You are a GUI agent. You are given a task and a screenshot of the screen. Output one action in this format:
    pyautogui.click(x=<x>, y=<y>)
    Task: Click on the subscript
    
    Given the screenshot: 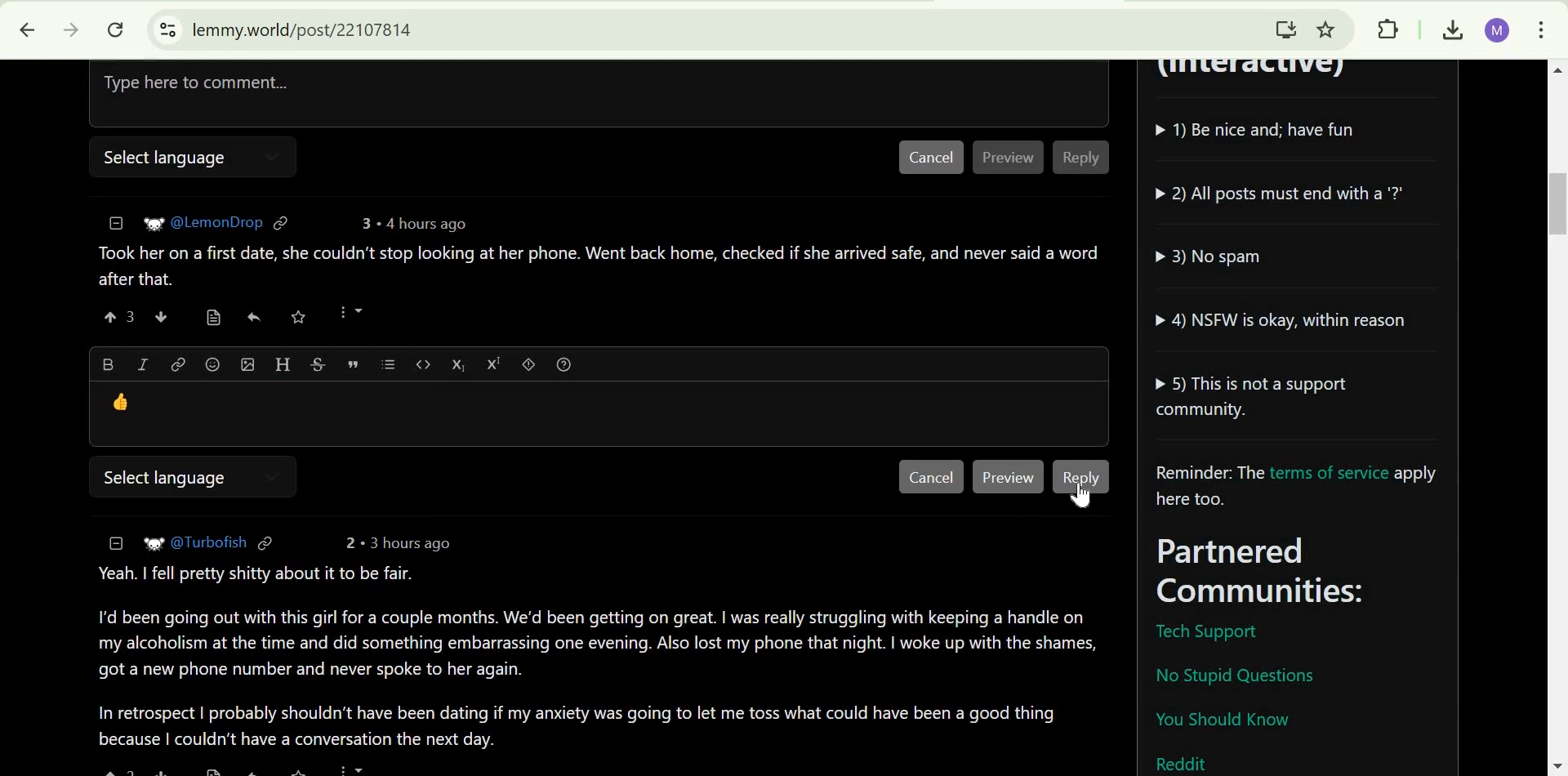 What is the action you would take?
    pyautogui.click(x=456, y=363)
    